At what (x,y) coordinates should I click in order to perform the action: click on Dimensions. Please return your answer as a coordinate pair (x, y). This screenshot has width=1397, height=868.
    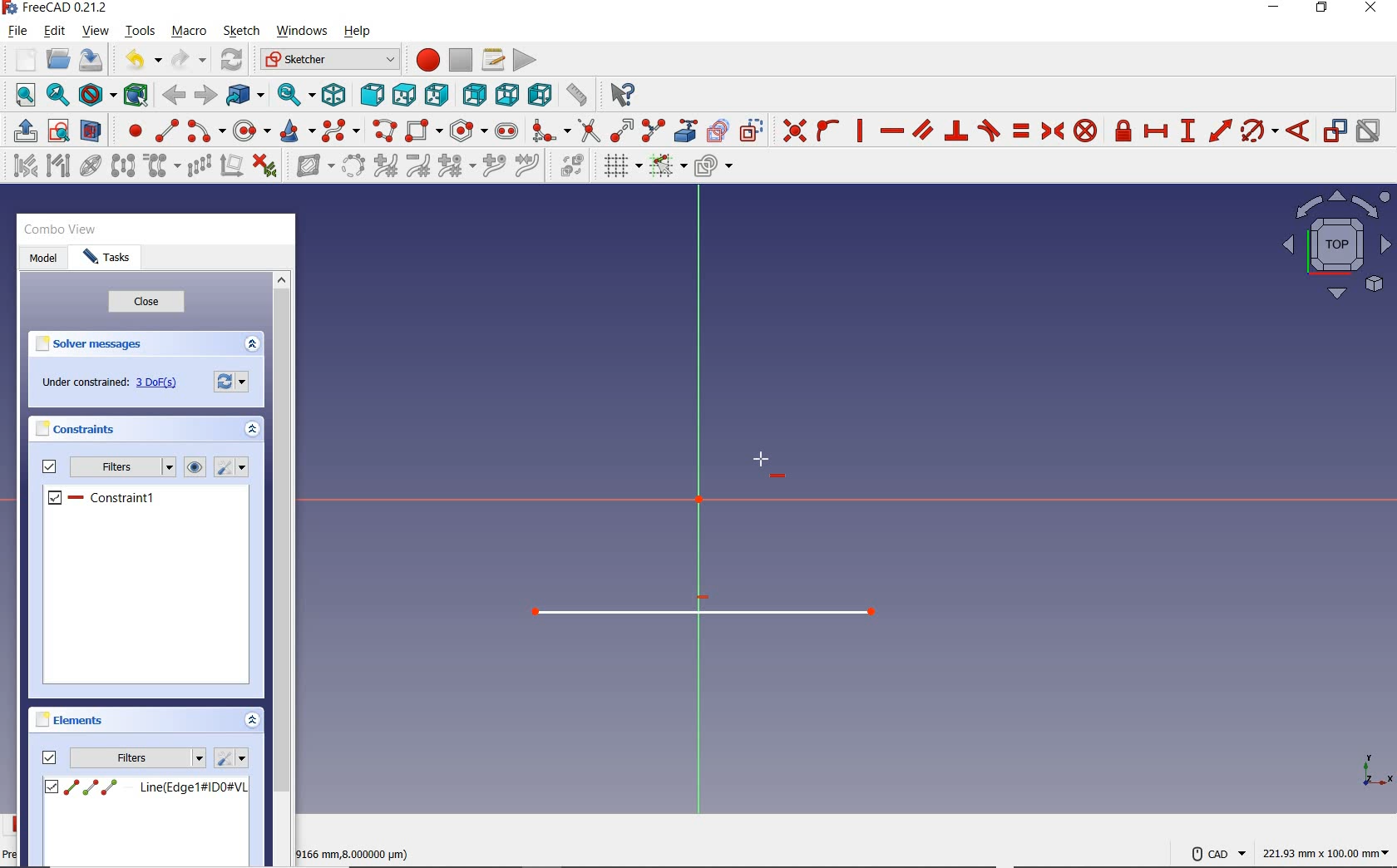
    Looking at the image, I should click on (1328, 853).